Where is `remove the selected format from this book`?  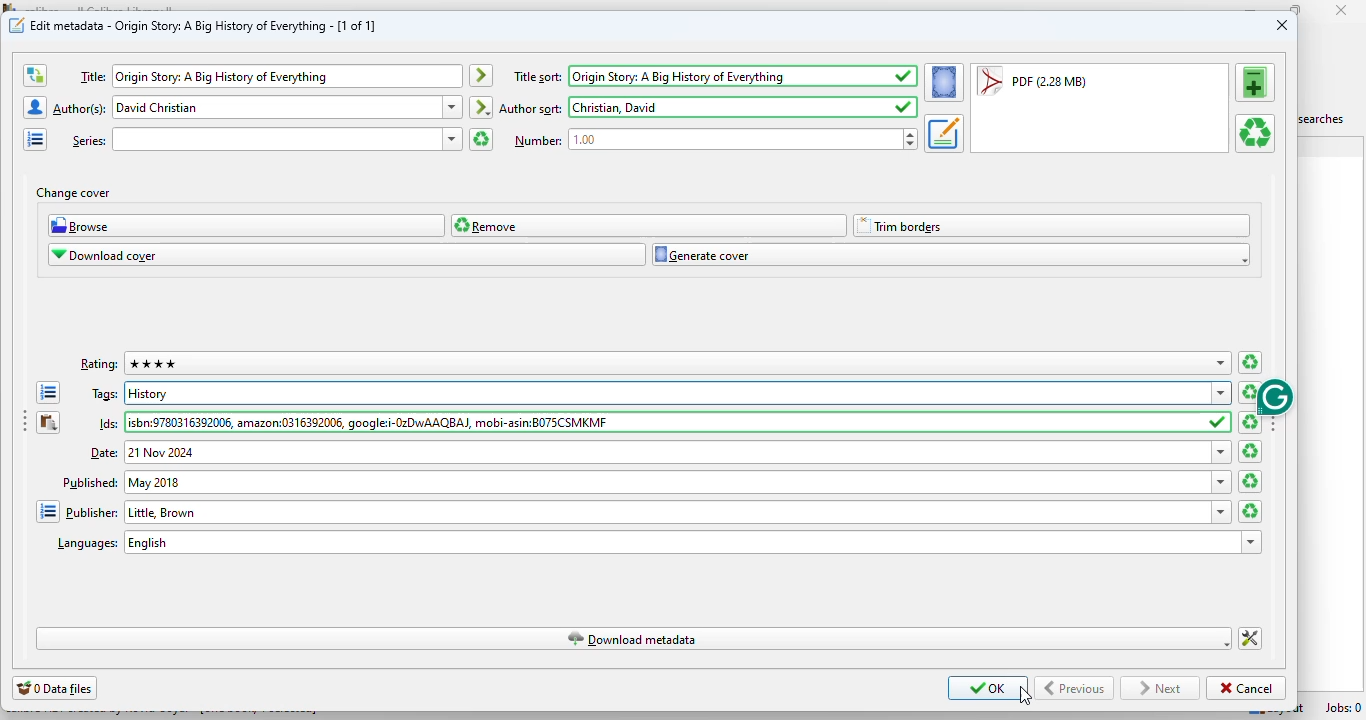
remove the selected format from this book is located at coordinates (1256, 134).